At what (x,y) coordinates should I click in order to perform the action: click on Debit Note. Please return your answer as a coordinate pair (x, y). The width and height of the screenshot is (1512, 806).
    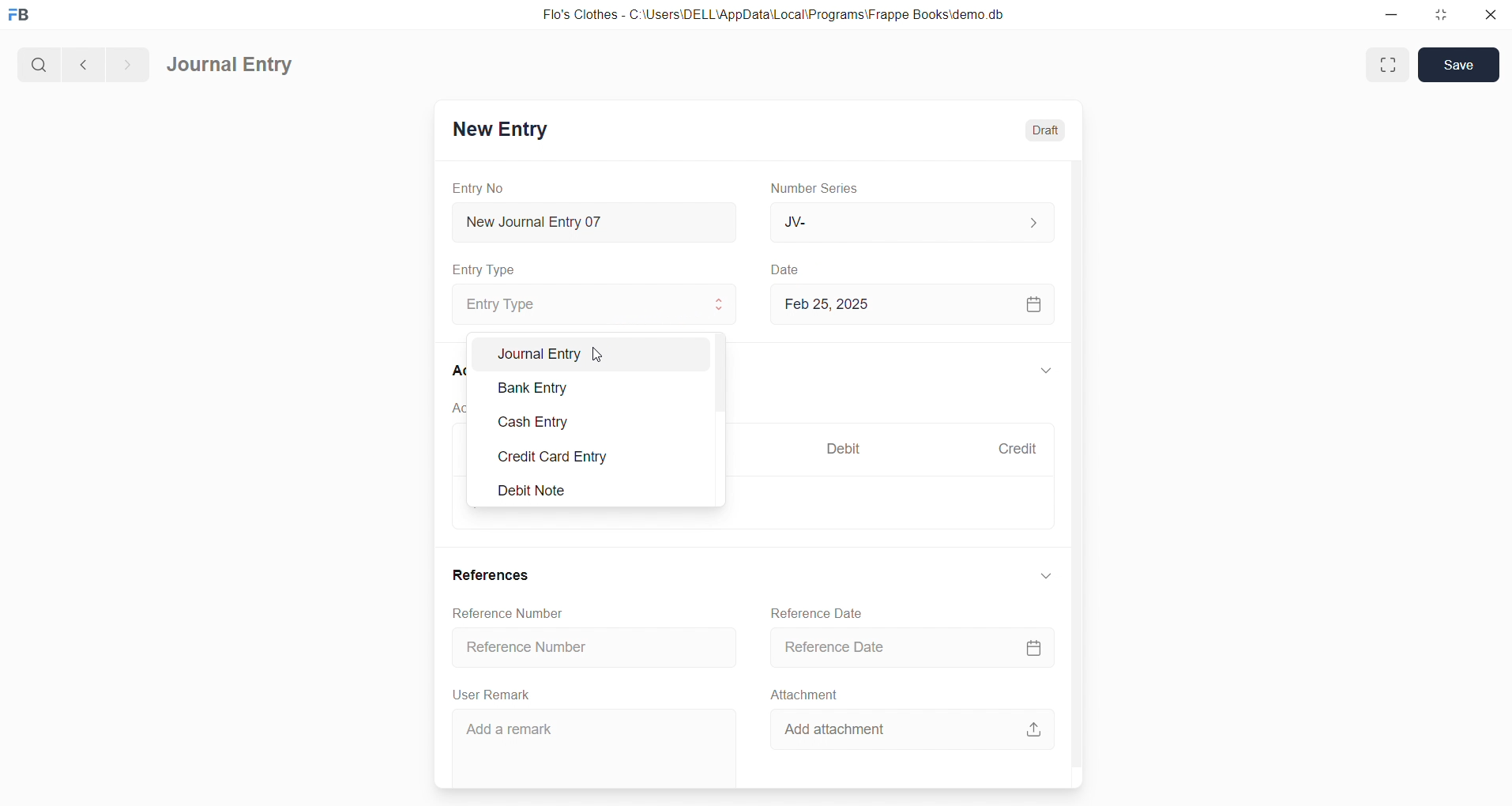
    Looking at the image, I should click on (596, 489).